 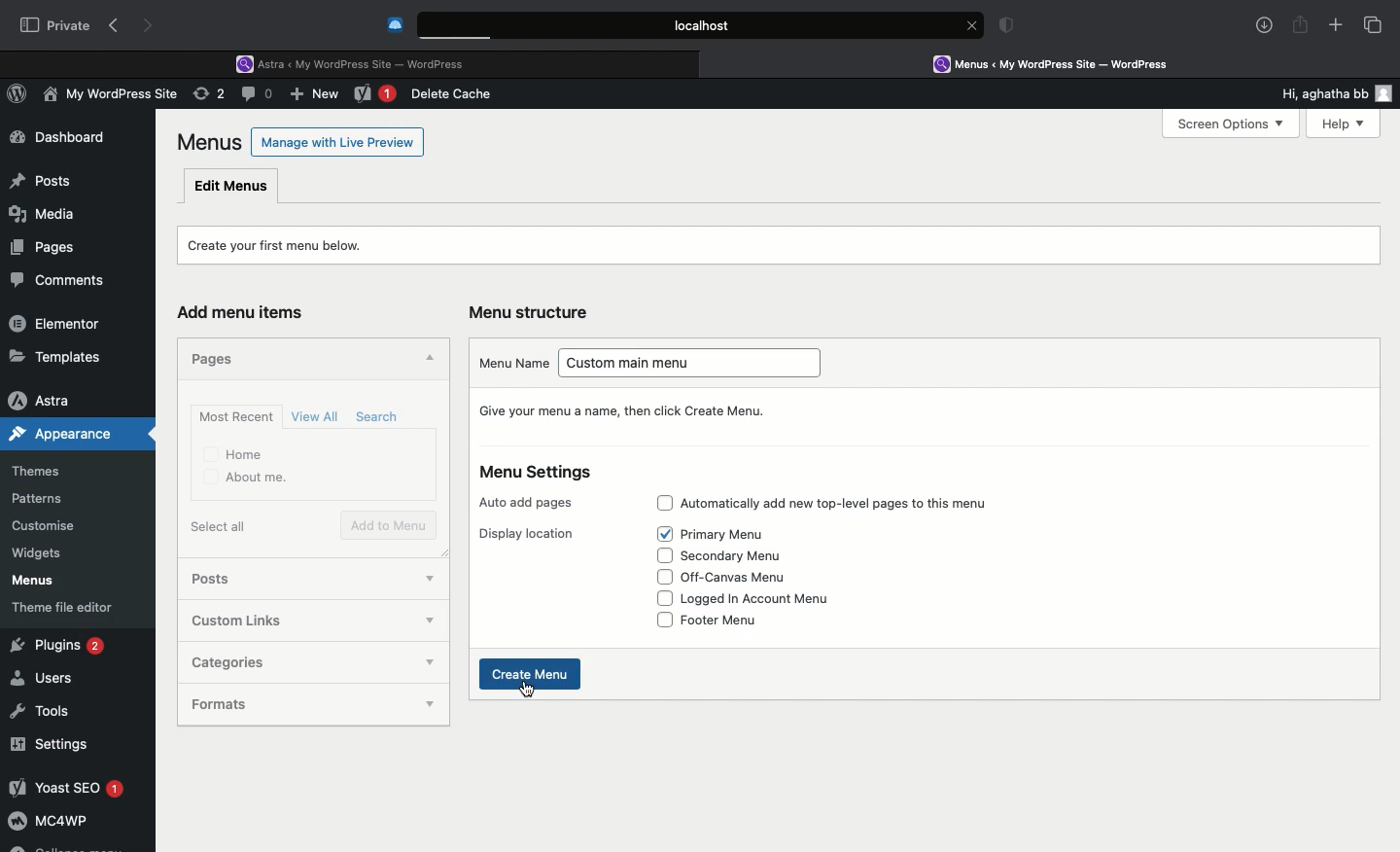 I want to click on Search, so click(x=380, y=417).